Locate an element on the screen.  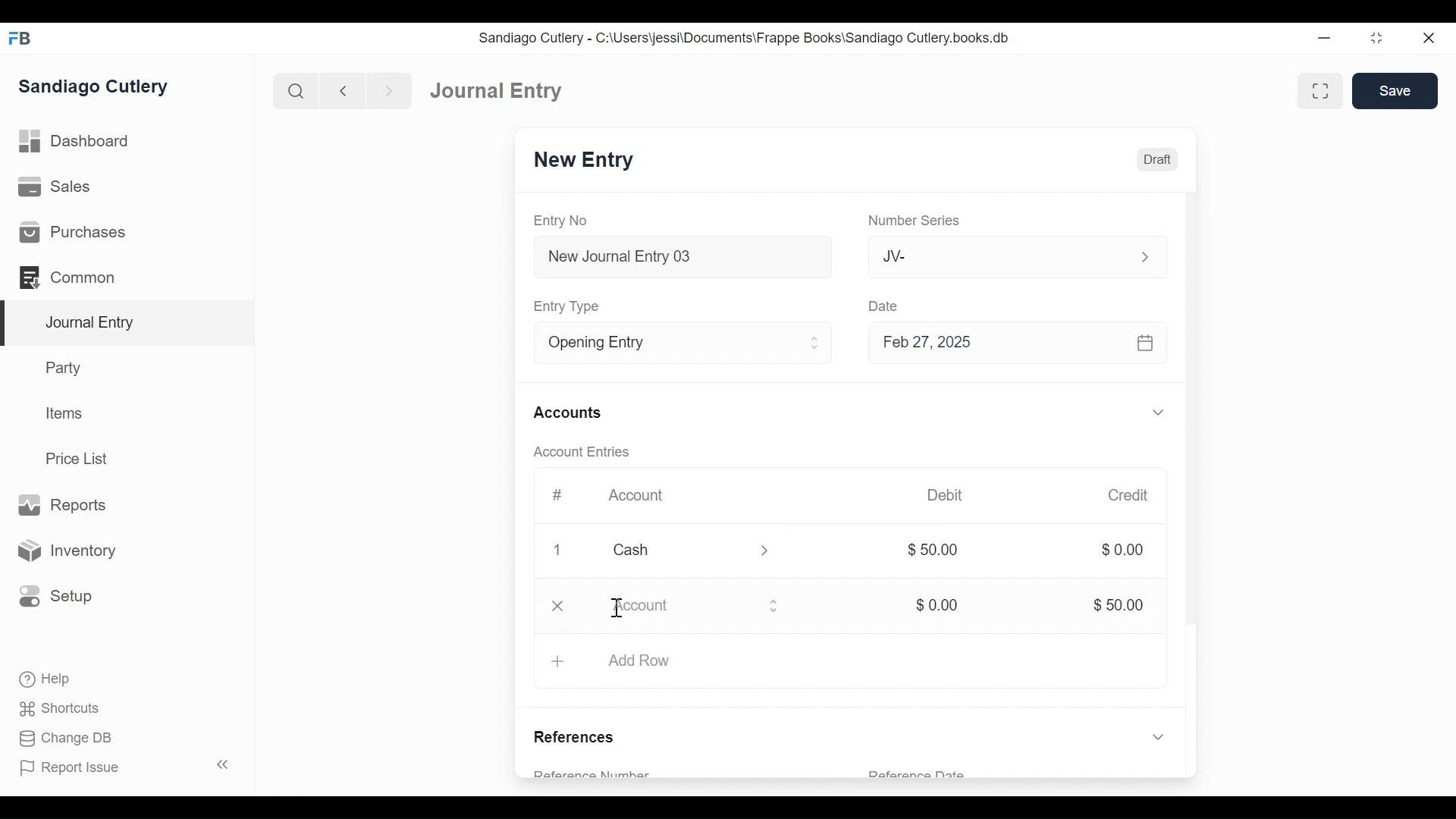
Account Entries is located at coordinates (580, 452).